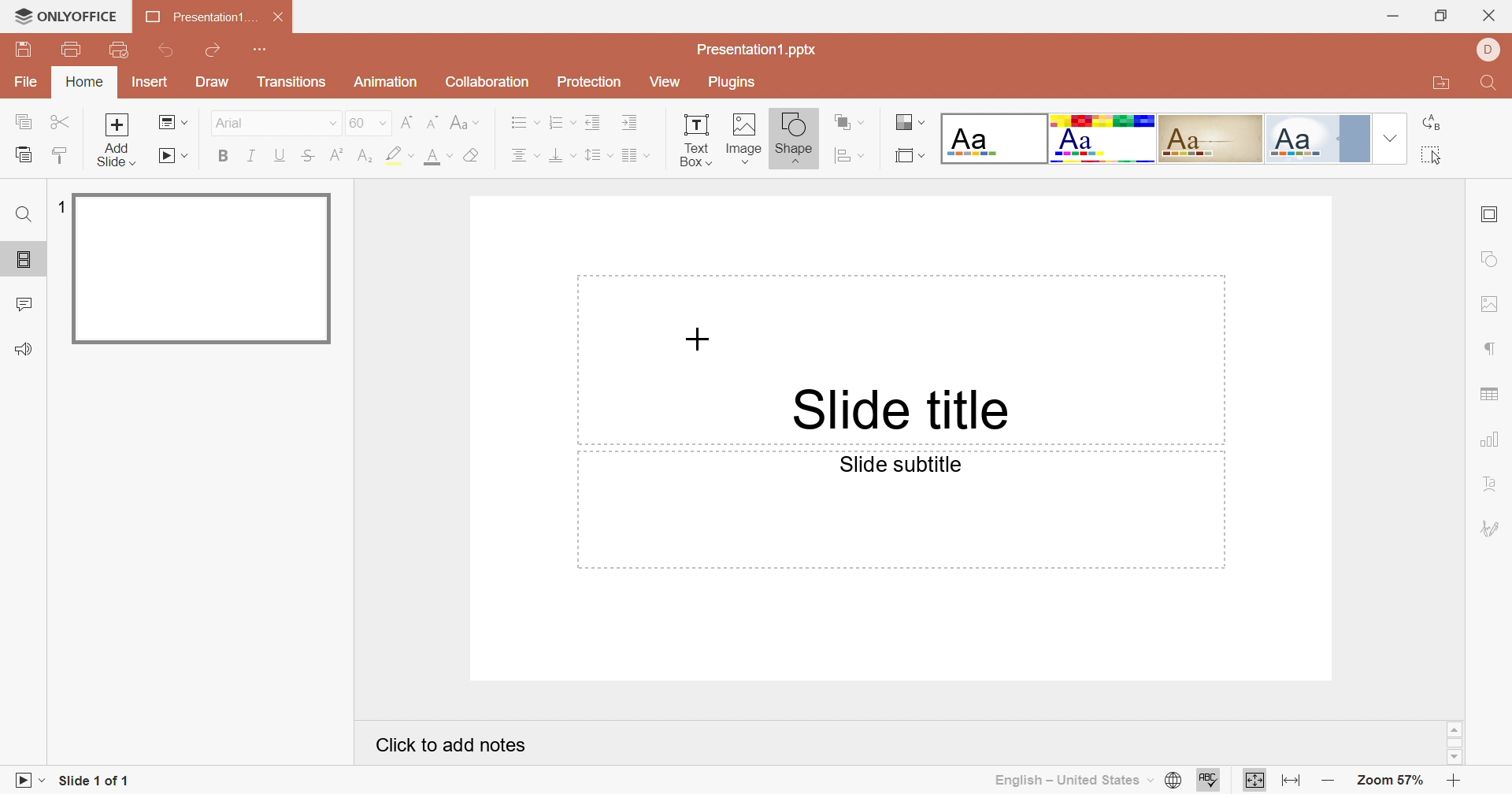 The height and width of the screenshot is (794, 1512). I want to click on Vertical align, so click(562, 155).